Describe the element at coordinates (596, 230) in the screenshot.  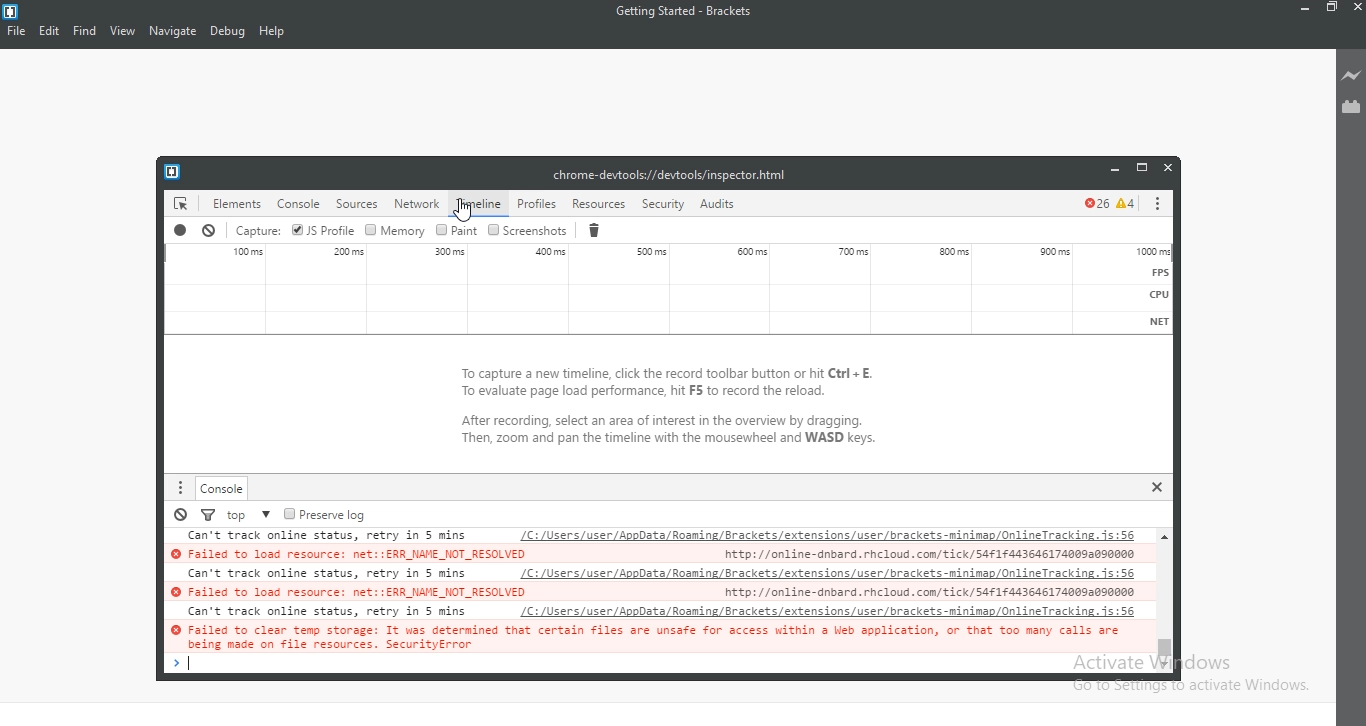
I see `Delete` at that location.